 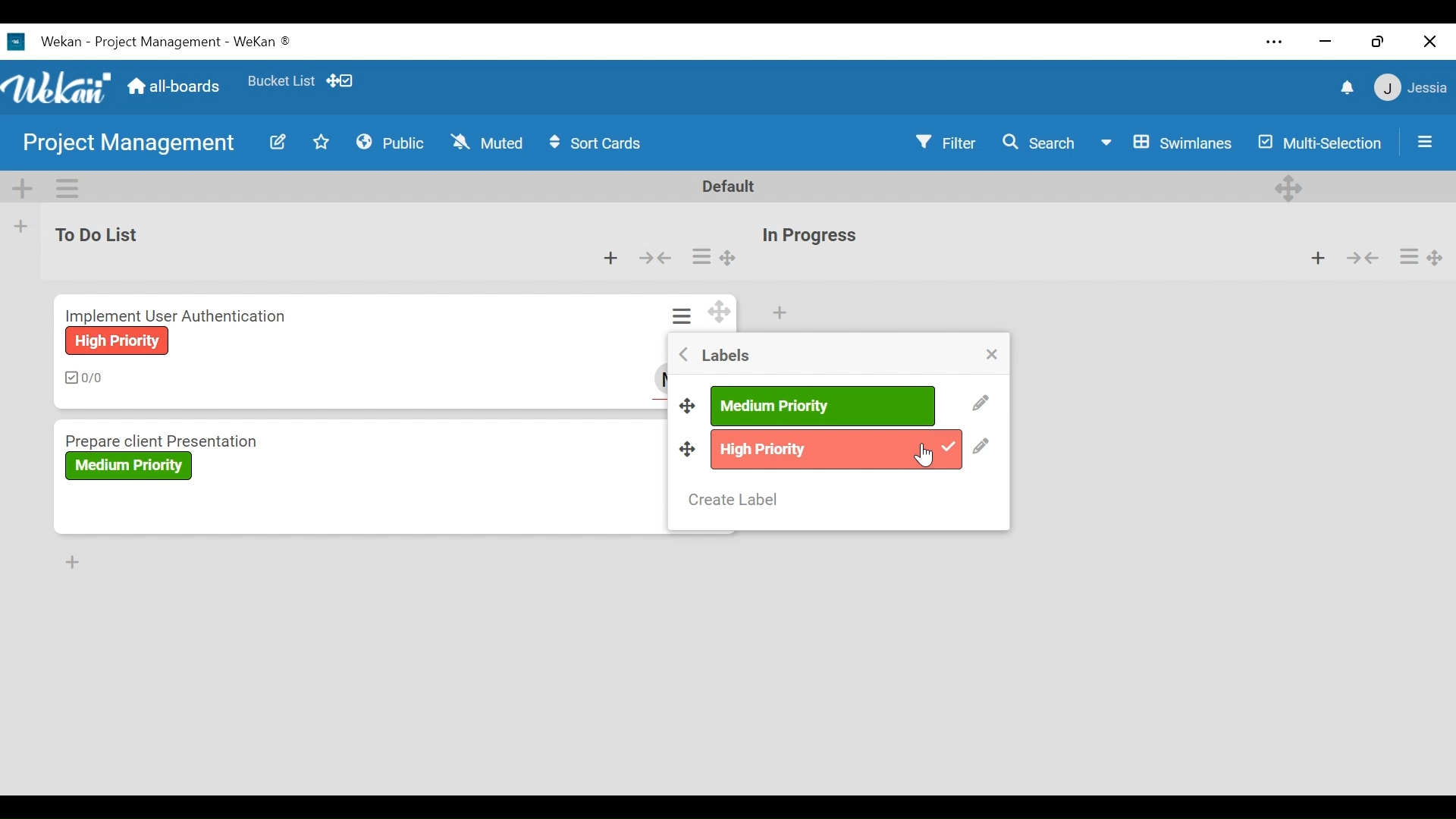 What do you see at coordinates (56, 84) in the screenshot?
I see `Wekan Logo` at bounding box center [56, 84].